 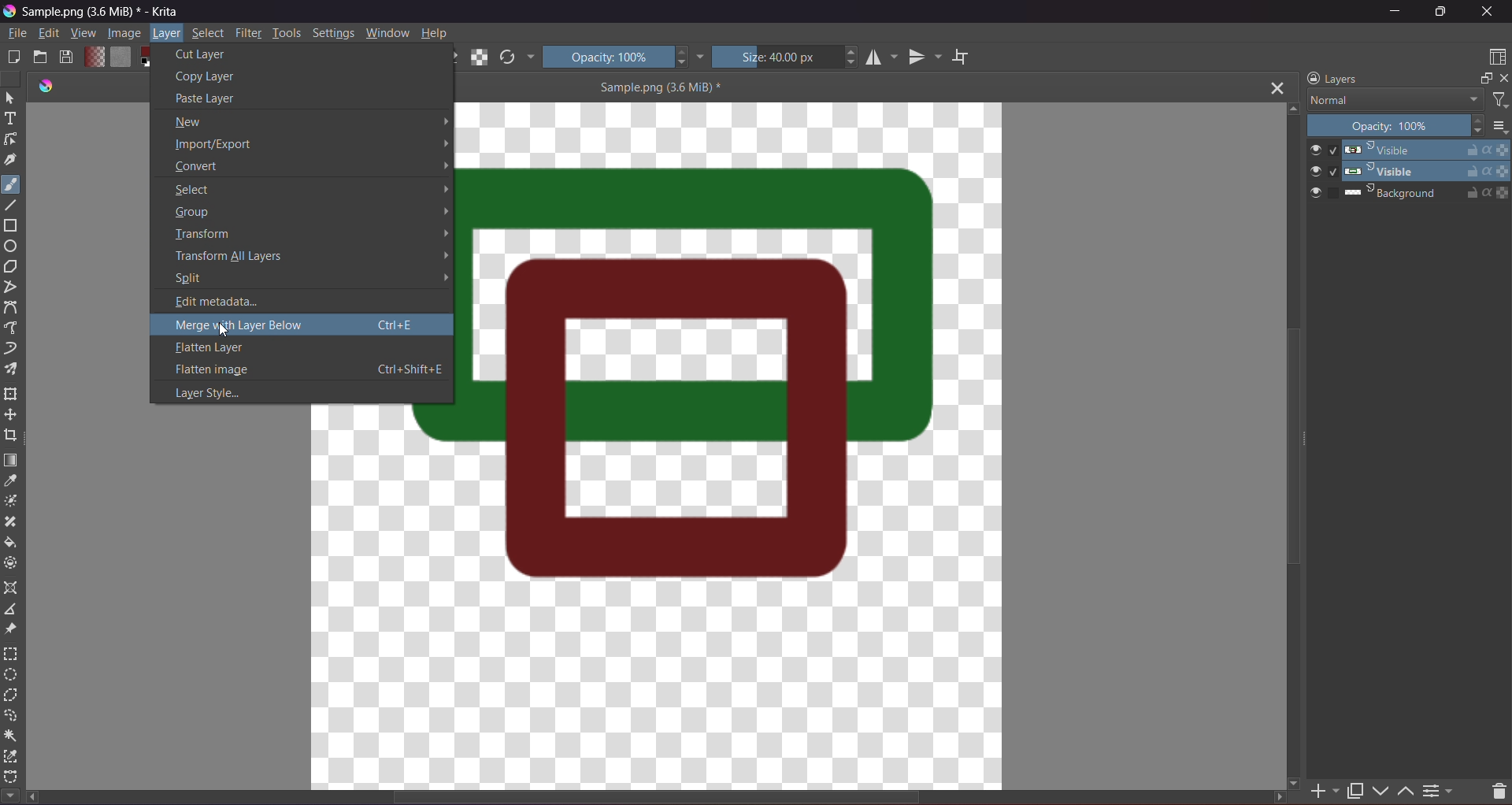 What do you see at coordinates (16, 35) in the screenshot?
I see `File` at bounding box center [16, 35].